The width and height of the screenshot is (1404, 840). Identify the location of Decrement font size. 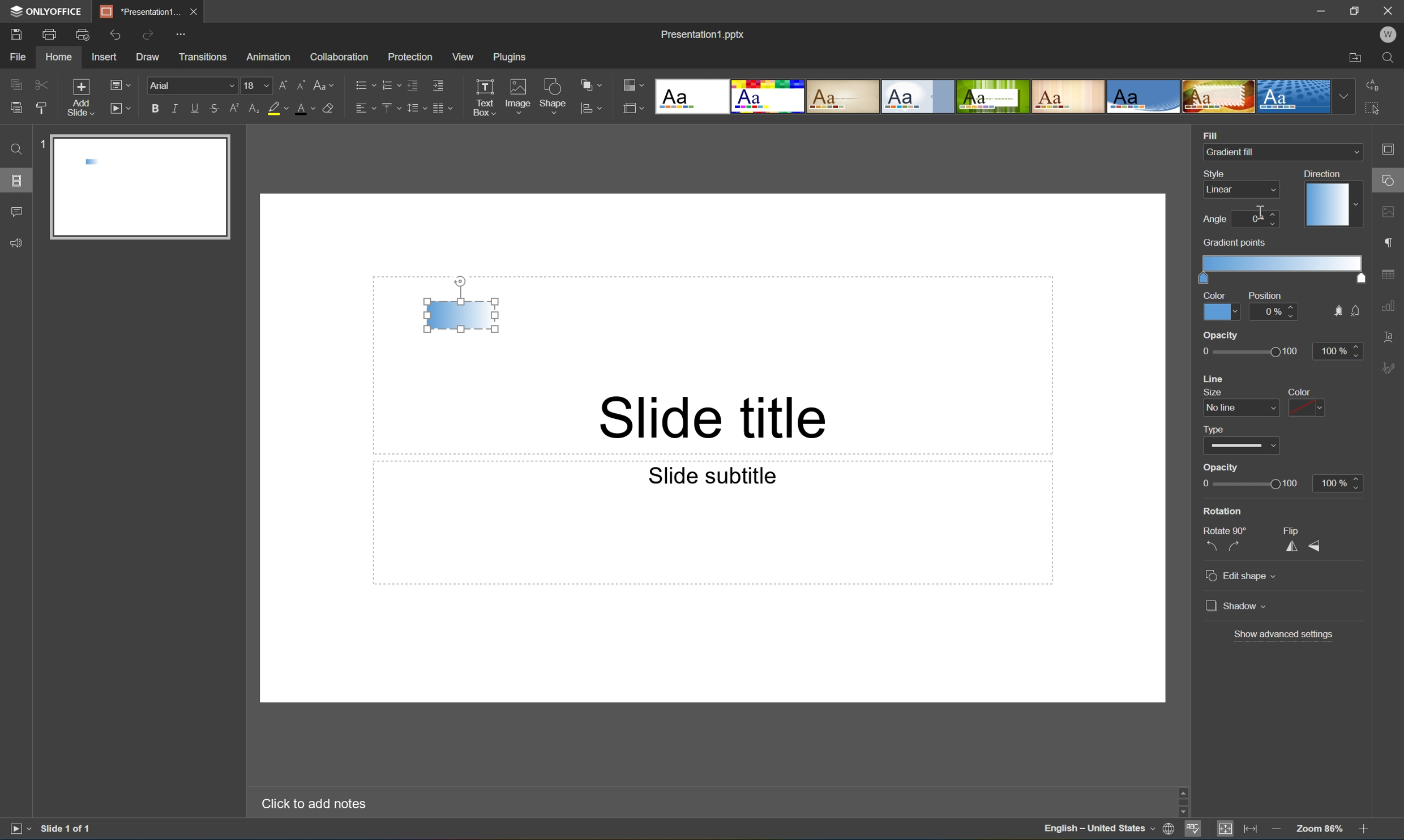
(300, 83).